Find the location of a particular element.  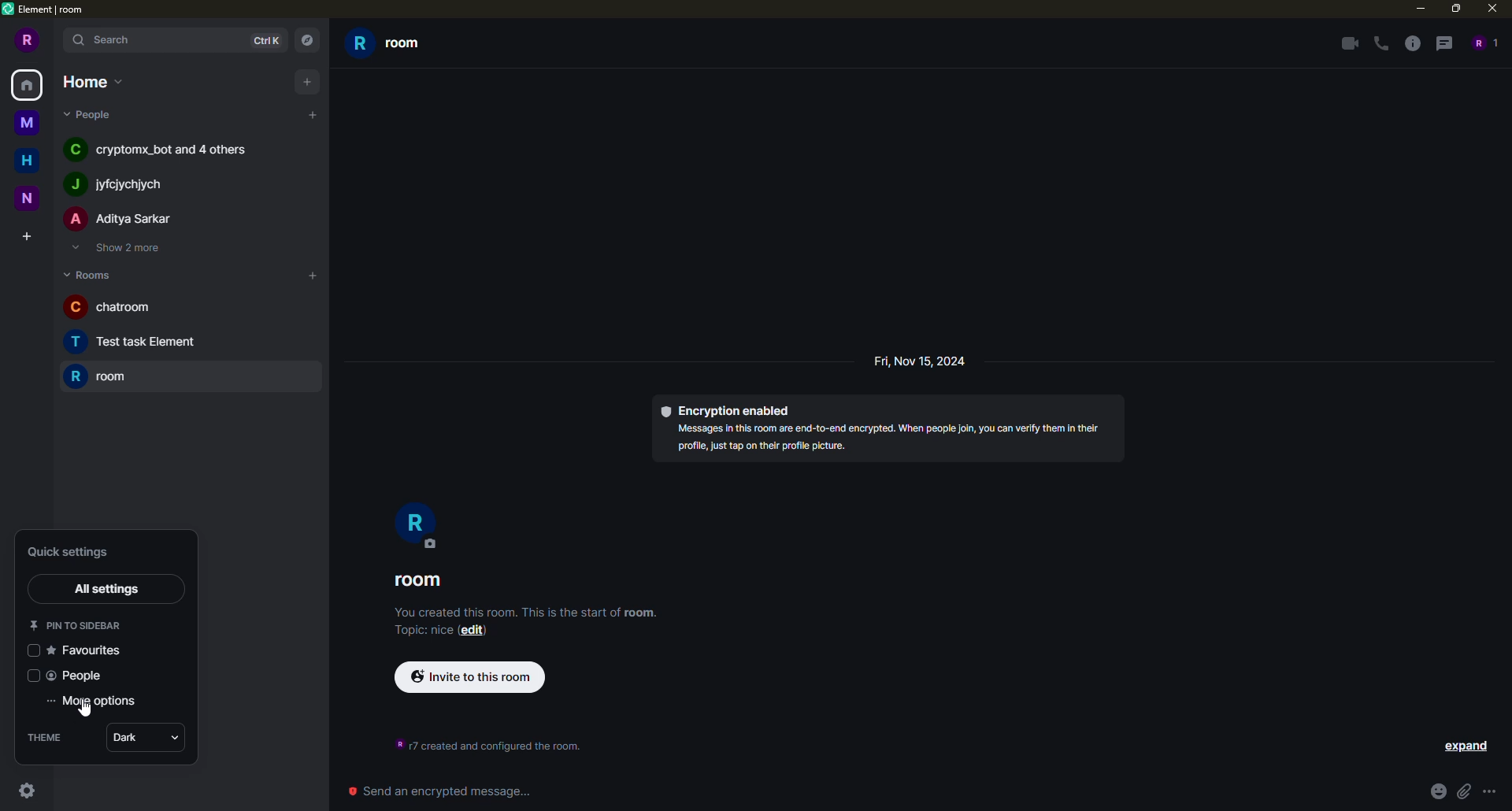

quick settings is located at coordinates (29, 791).